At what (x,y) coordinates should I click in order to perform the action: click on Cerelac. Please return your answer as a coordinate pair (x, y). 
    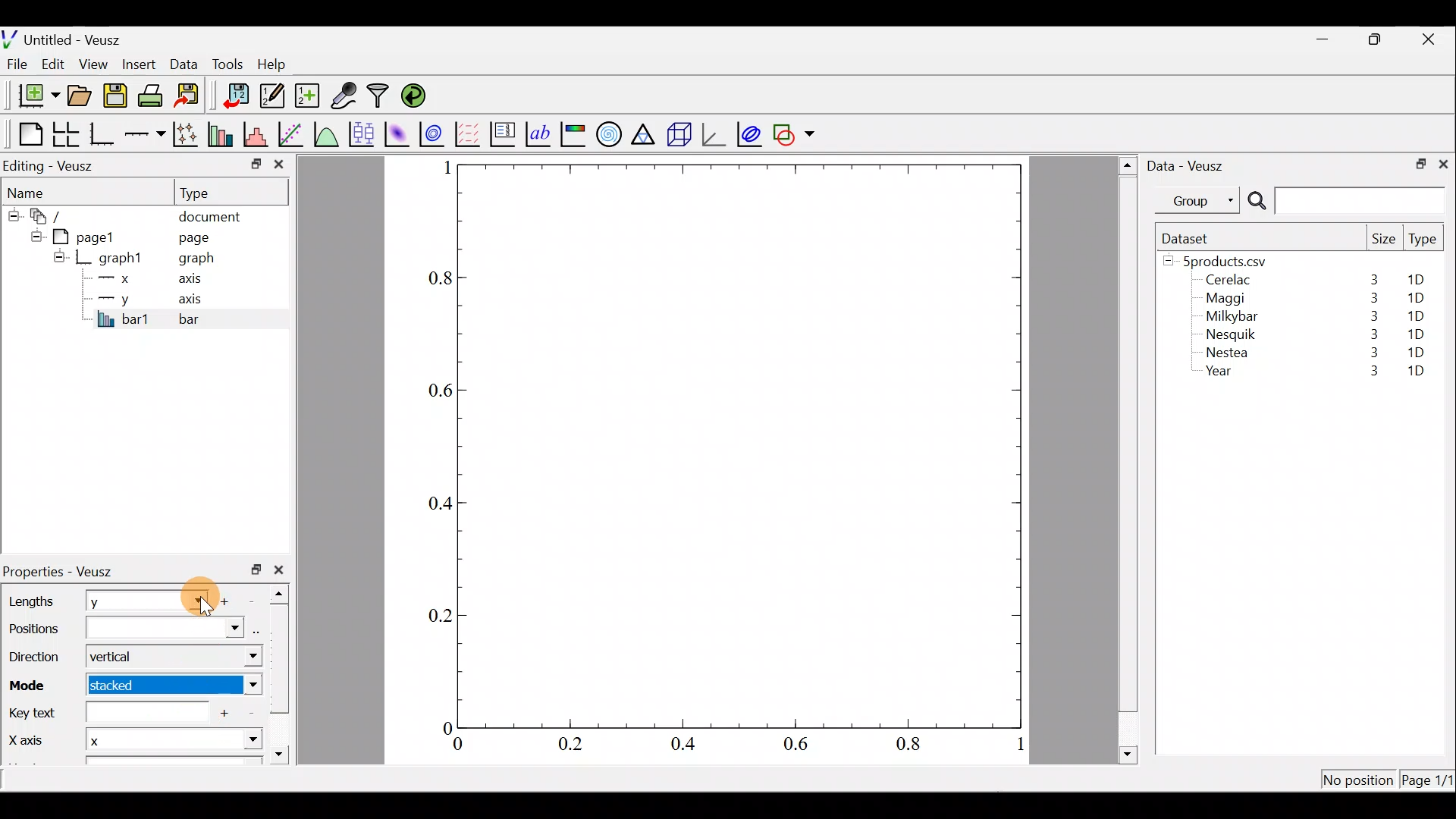
    Looking at the image, I should click on (1225, 281).